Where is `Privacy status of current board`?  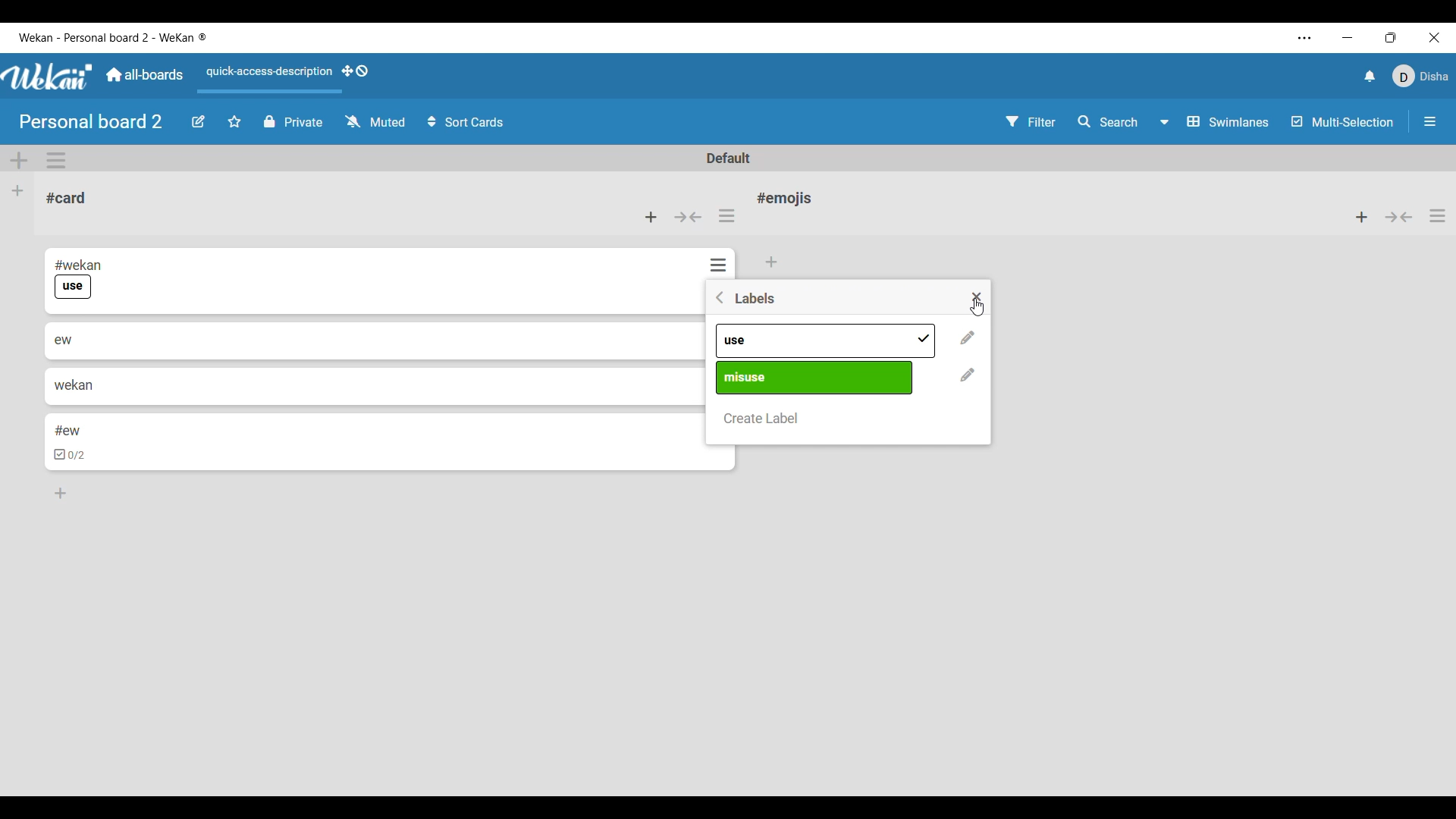 Privacy status of current board is located at coordinates (293, 121).